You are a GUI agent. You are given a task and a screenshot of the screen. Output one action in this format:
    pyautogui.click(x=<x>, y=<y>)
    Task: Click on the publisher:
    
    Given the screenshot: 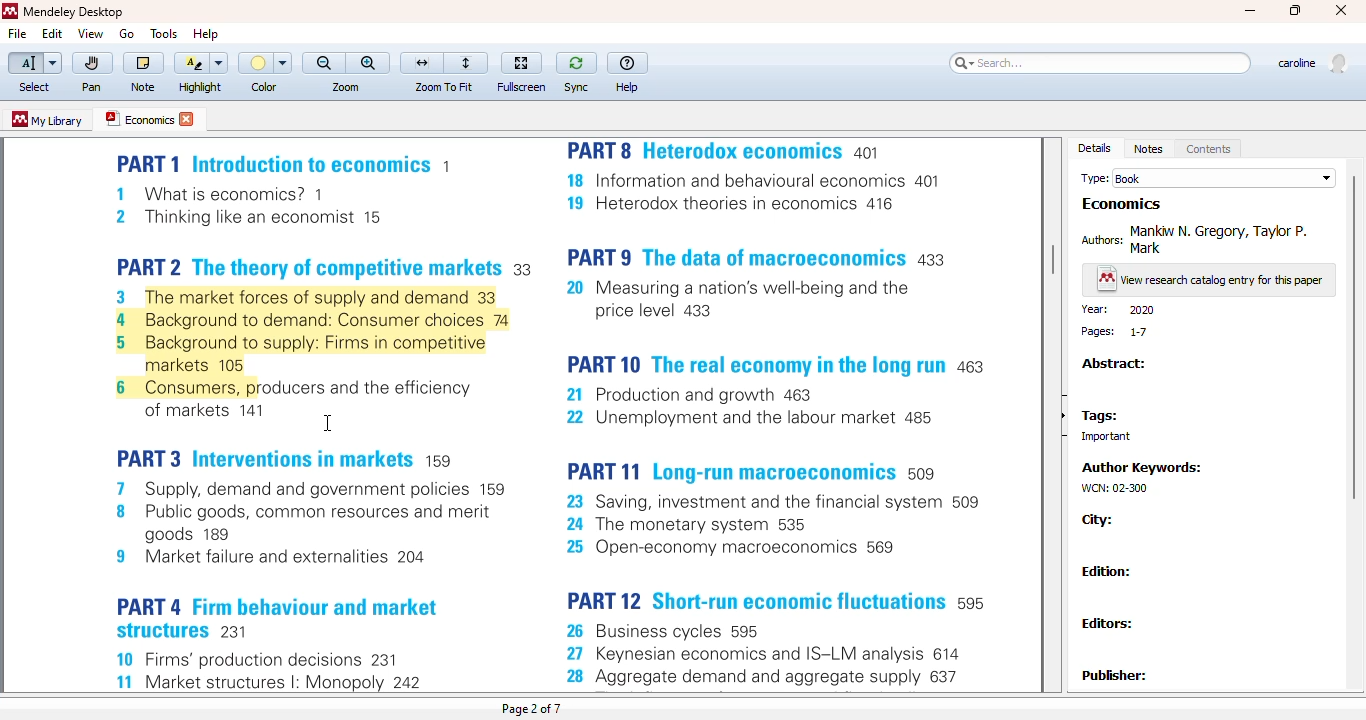 What is the action you would take?
    pyautogui.click(x=1114, y=675)
    